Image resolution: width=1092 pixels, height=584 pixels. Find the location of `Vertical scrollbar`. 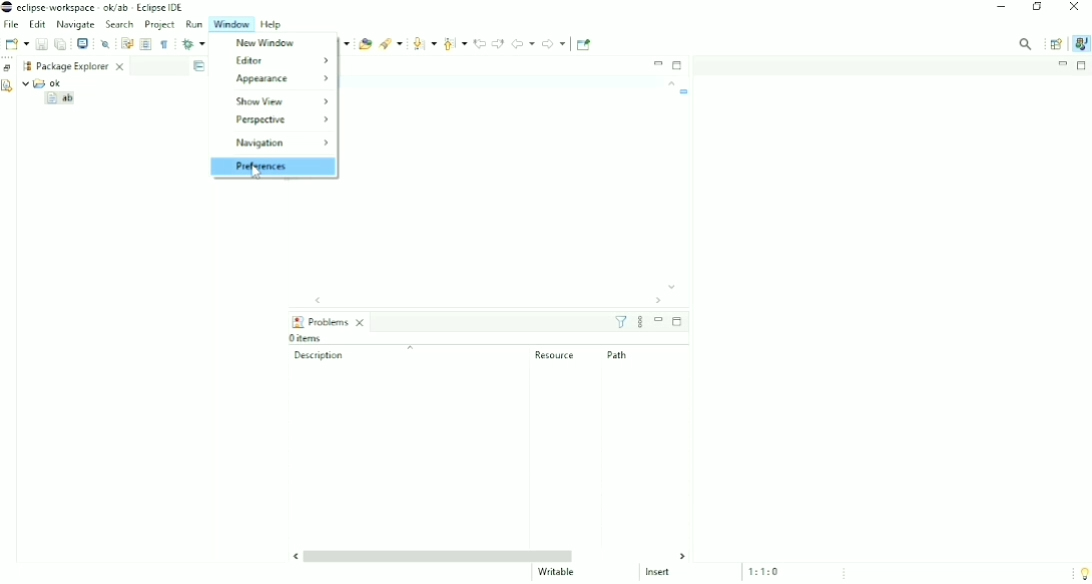

Vertical scrollbar is located at coordinates (671, 186).